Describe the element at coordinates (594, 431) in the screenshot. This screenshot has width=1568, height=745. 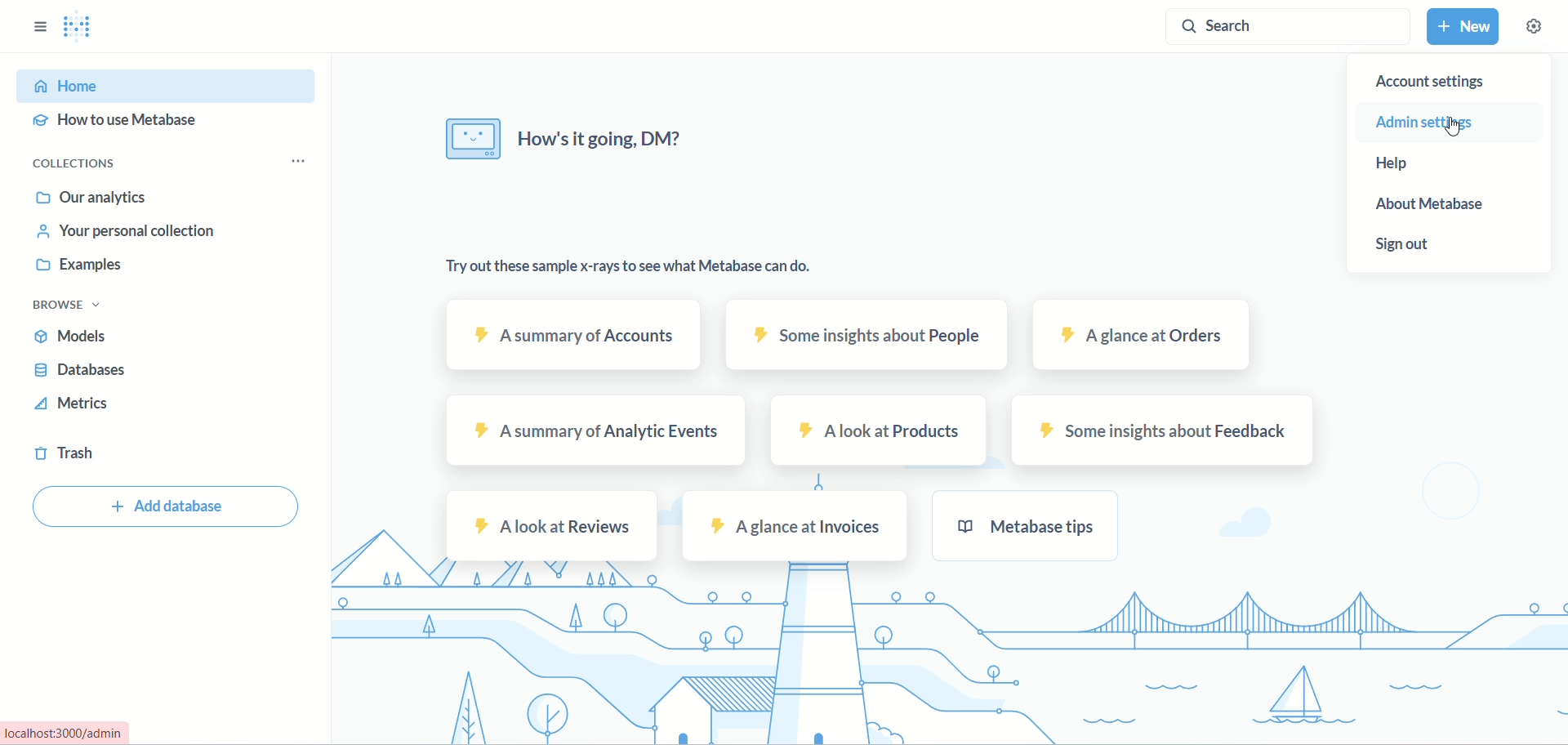
I see `analytic events` at that location.